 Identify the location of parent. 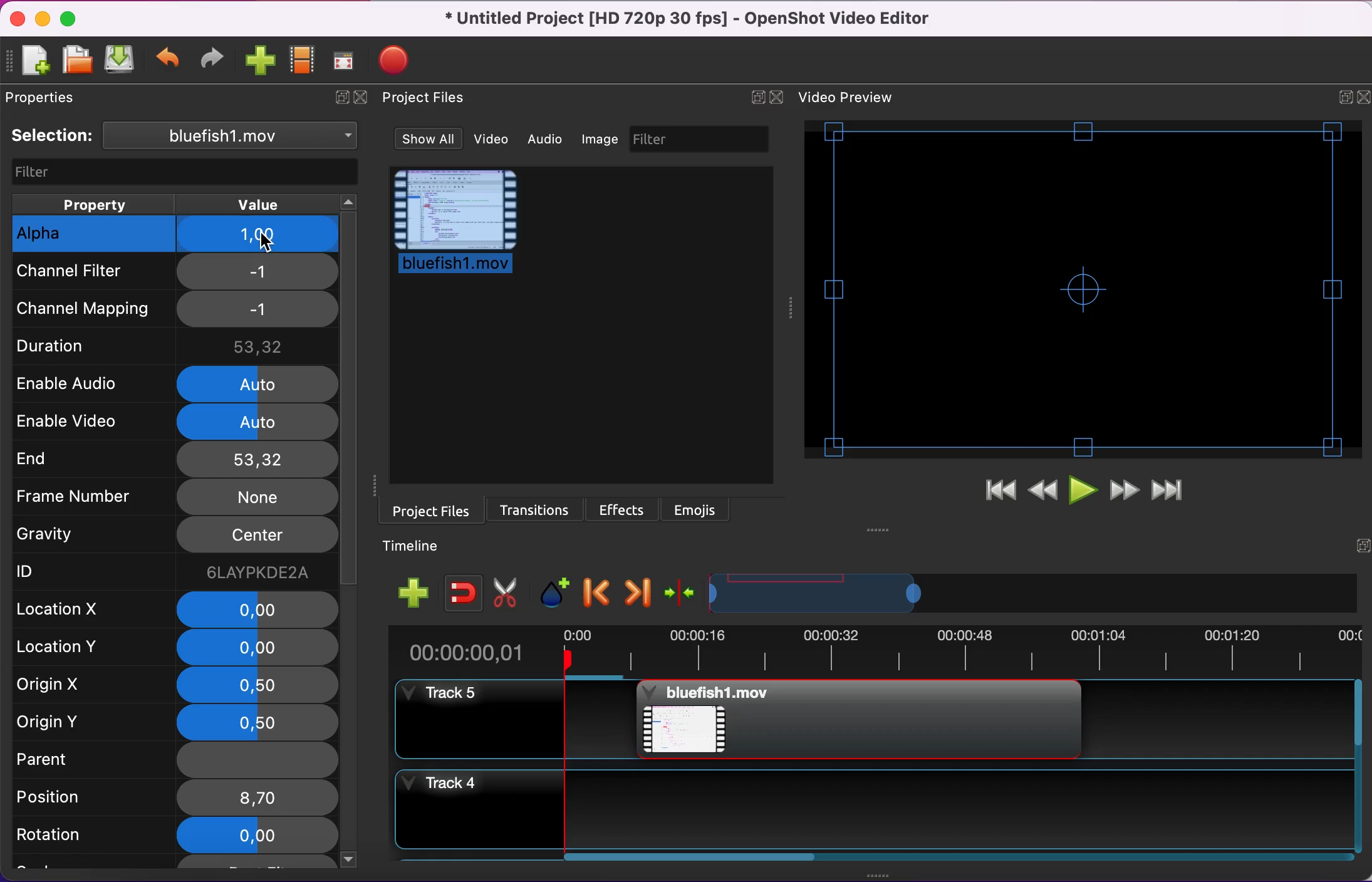
(70, 758).